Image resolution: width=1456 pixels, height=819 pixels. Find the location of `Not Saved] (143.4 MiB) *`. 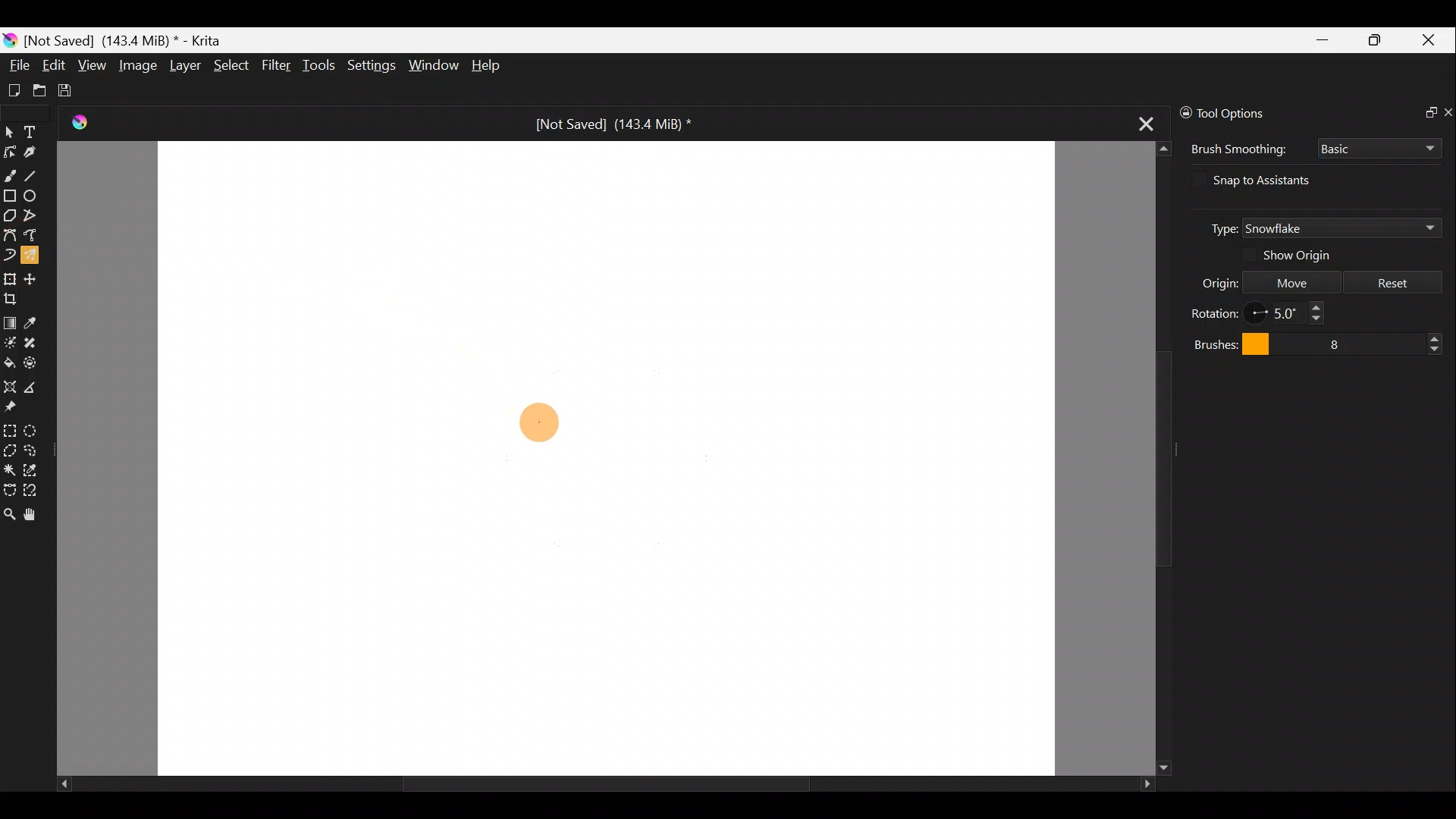

Not Saved] (143.4 MiB) * is located at coordinates (601, 124).